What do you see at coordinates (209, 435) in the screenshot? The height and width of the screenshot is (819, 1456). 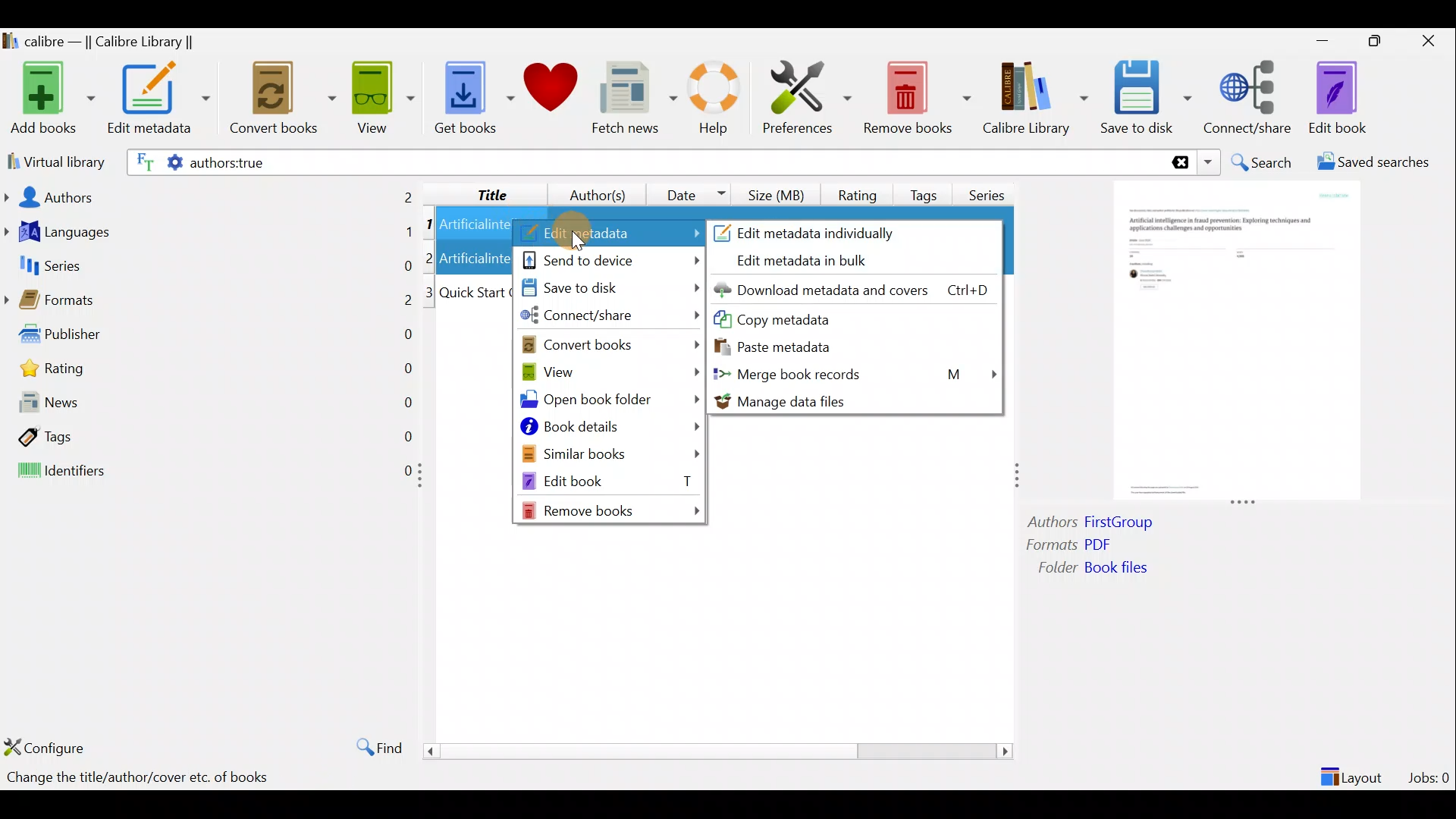 I see `Tags` at bounding box center [209, 435].